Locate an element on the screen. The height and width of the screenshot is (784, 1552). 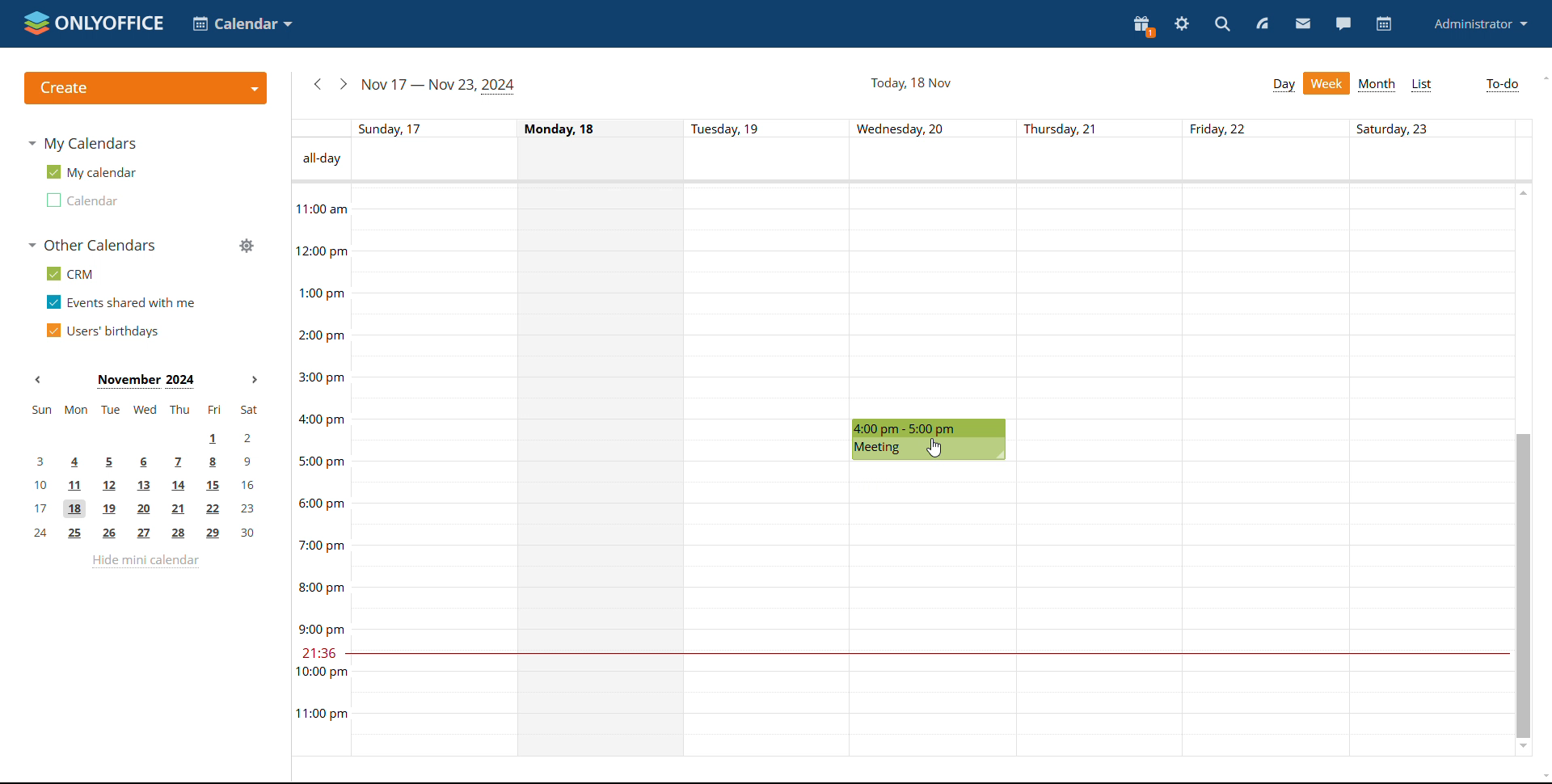
mail is located at coordinates (1303, 25).